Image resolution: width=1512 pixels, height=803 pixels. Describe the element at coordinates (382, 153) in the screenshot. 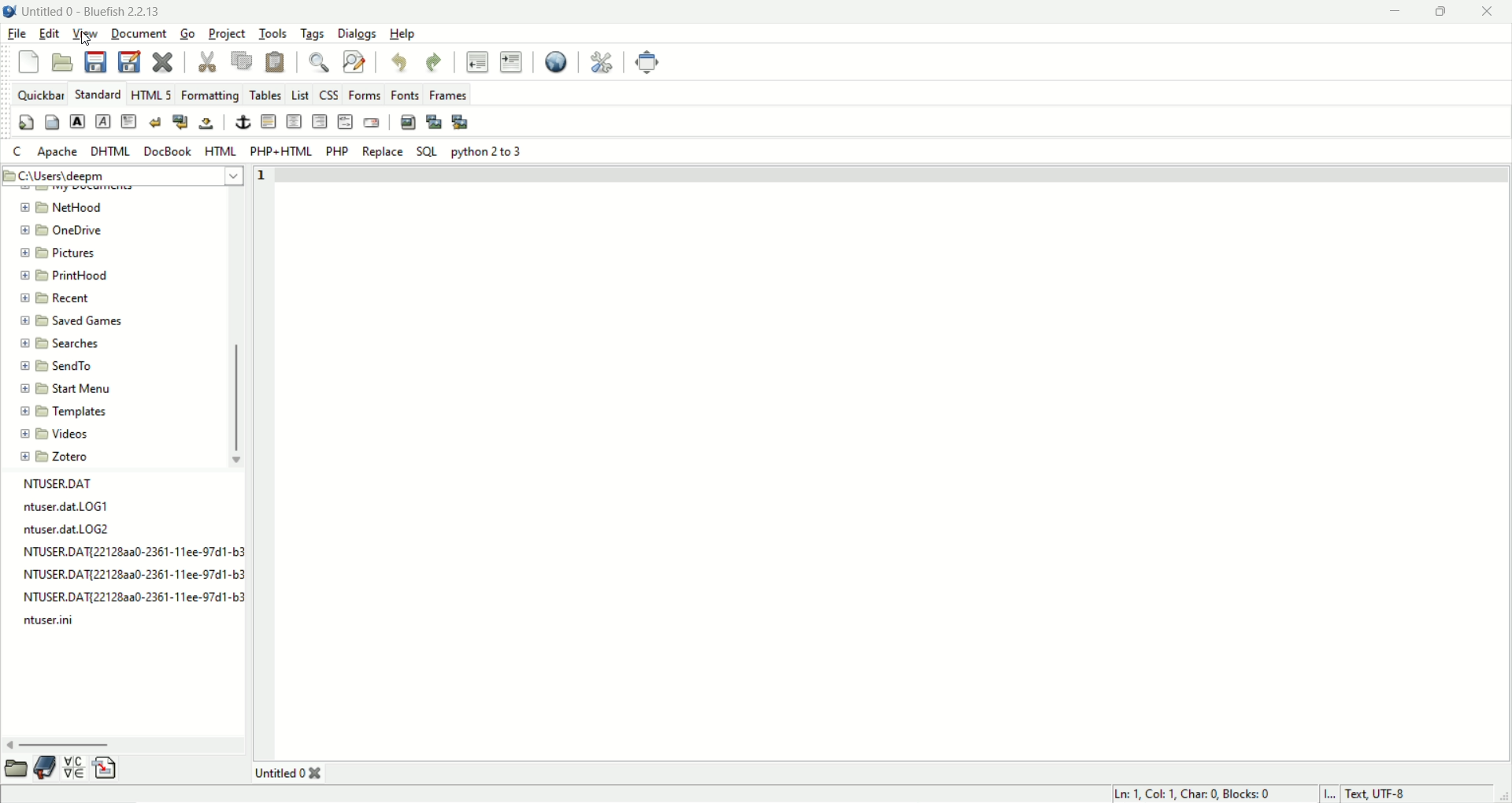

I see `replace` at that location.